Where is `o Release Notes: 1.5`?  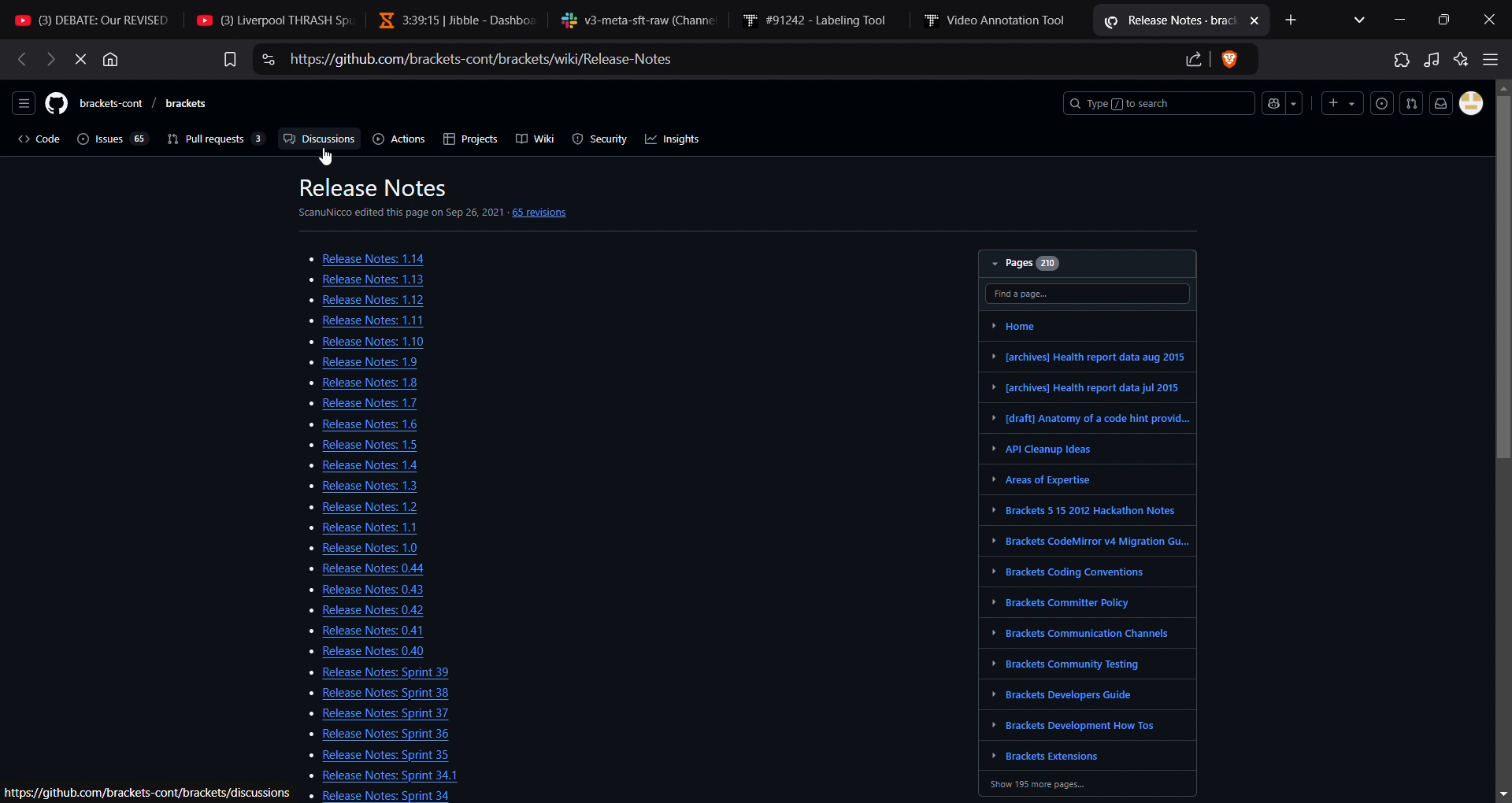 o Release Notes: 1.5 is located at coordinates (351, 444).